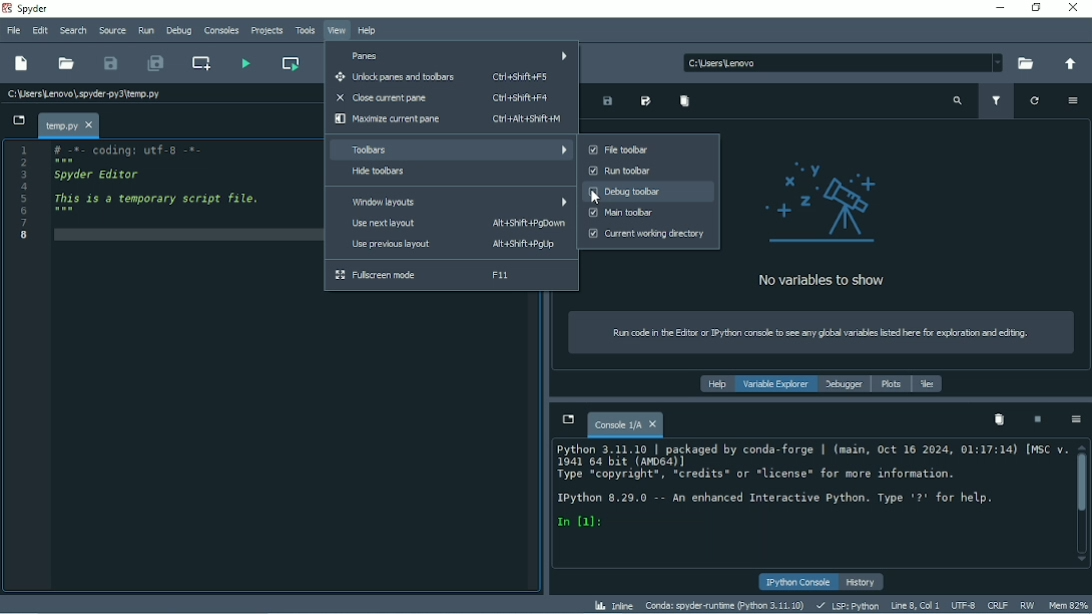 The height and width of the screenshot is (614, 1092). Describe the element at coordinates (201, 63) in the screenshot. I see `Create new cell at the current line` at that location.